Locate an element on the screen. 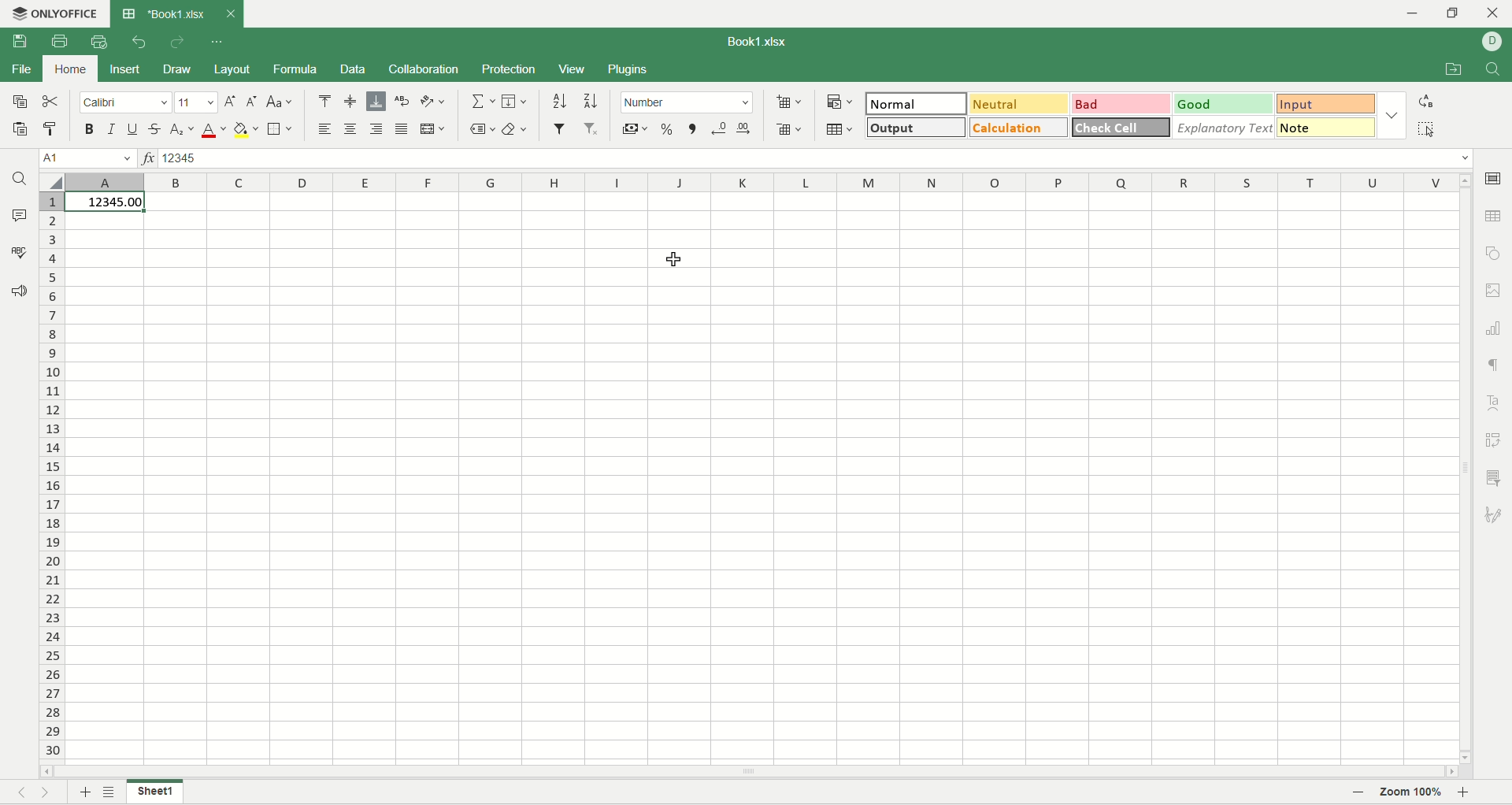 The width and height of the screenshot is (1512, 805). open file location is located at coordinates (1456, 70).